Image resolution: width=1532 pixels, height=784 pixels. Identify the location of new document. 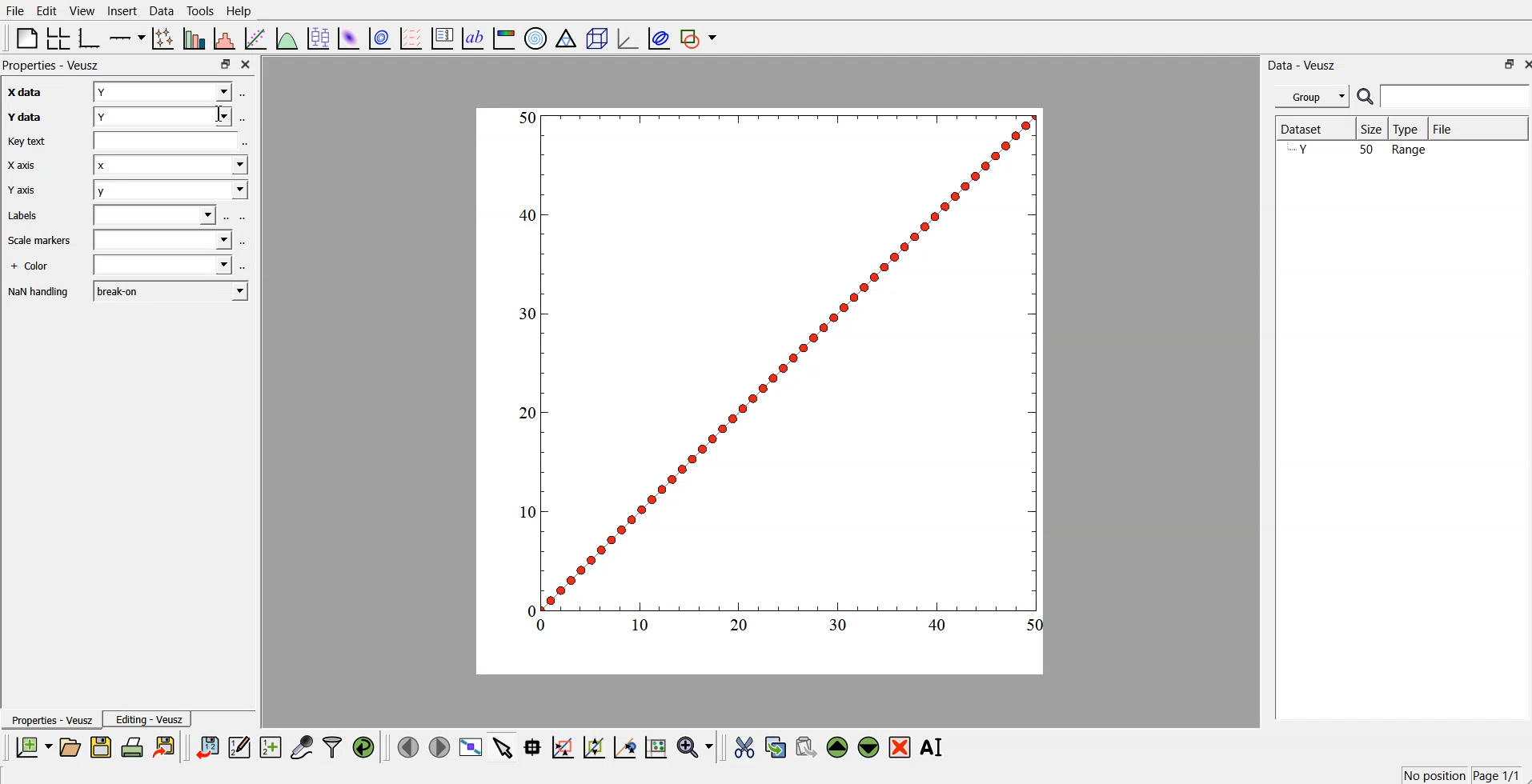
(35, 746).